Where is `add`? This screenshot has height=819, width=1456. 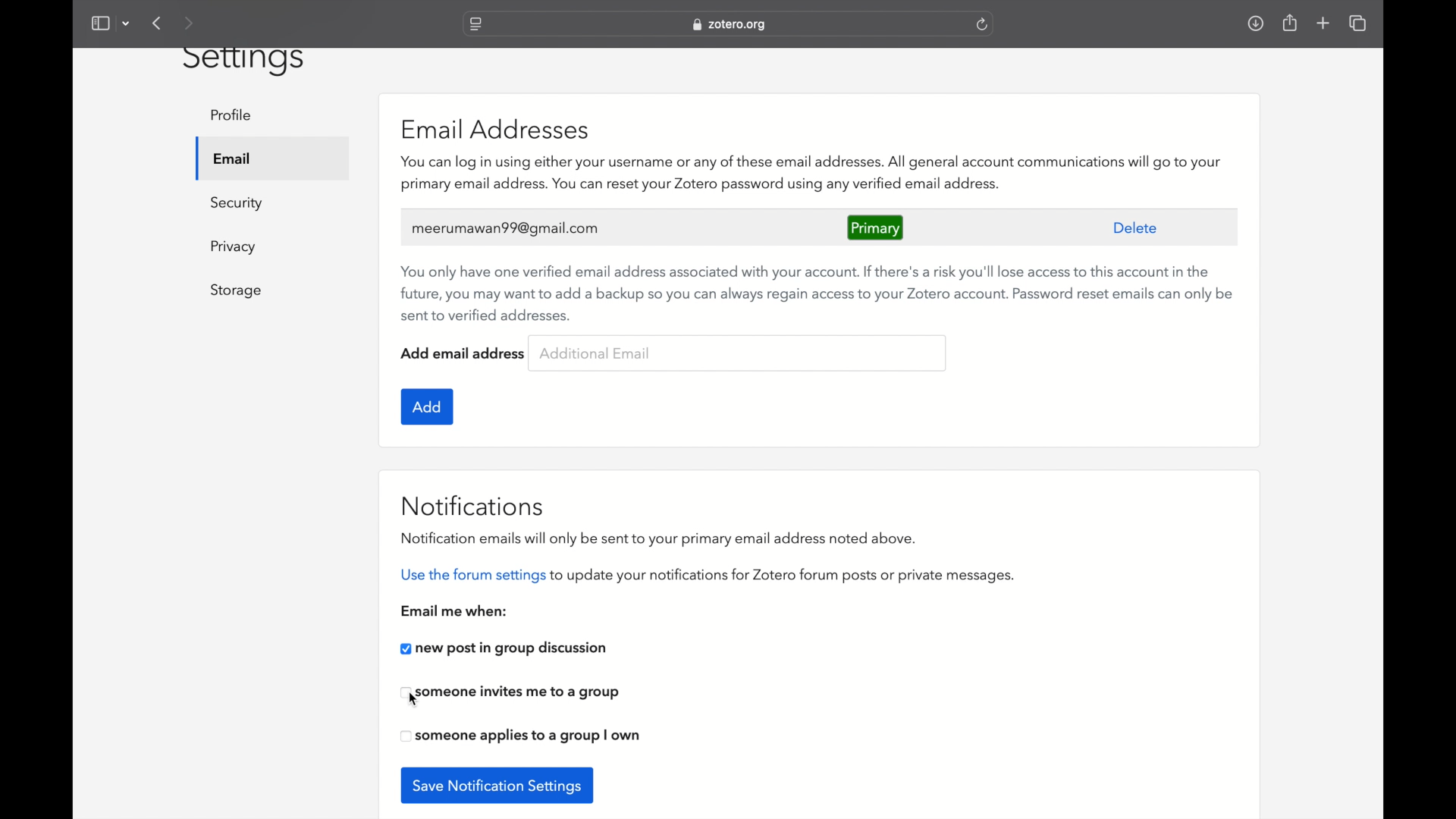
add is located at coordinates (428, 406).